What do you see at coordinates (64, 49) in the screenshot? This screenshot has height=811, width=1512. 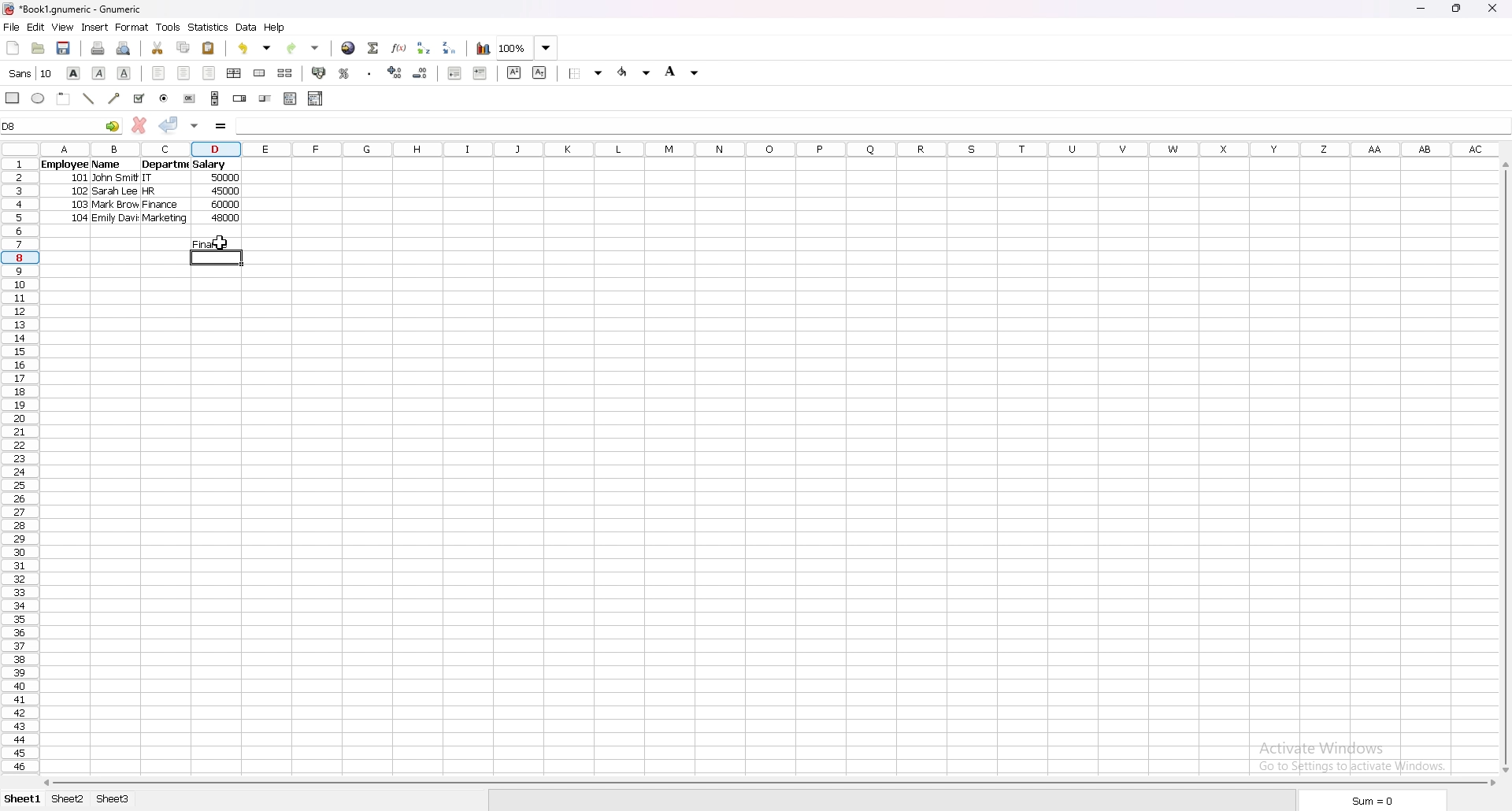 I see `save` at bounding box center [64, 49].